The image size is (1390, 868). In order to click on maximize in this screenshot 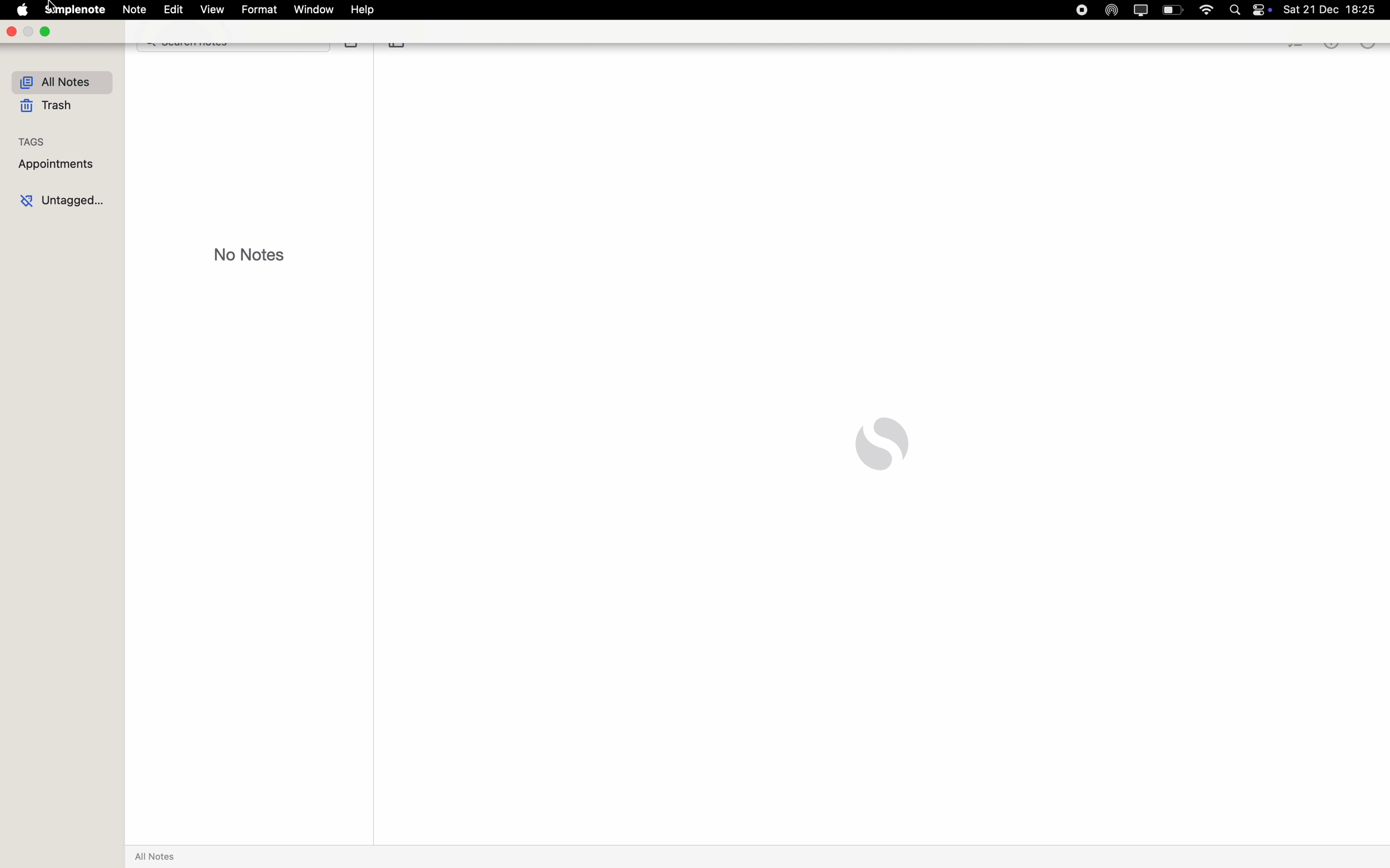, I will do `click(46, 32)`.